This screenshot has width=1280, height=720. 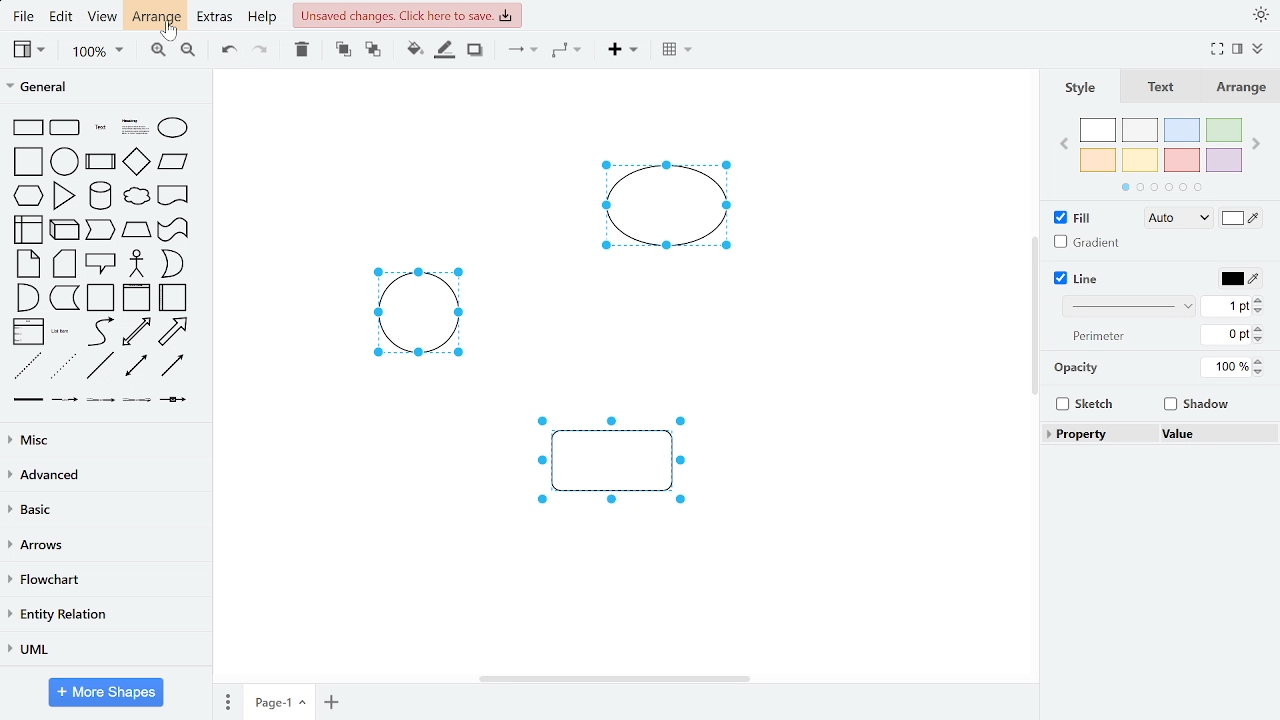 I want to click on opacity, so click(x=1078, y=368).